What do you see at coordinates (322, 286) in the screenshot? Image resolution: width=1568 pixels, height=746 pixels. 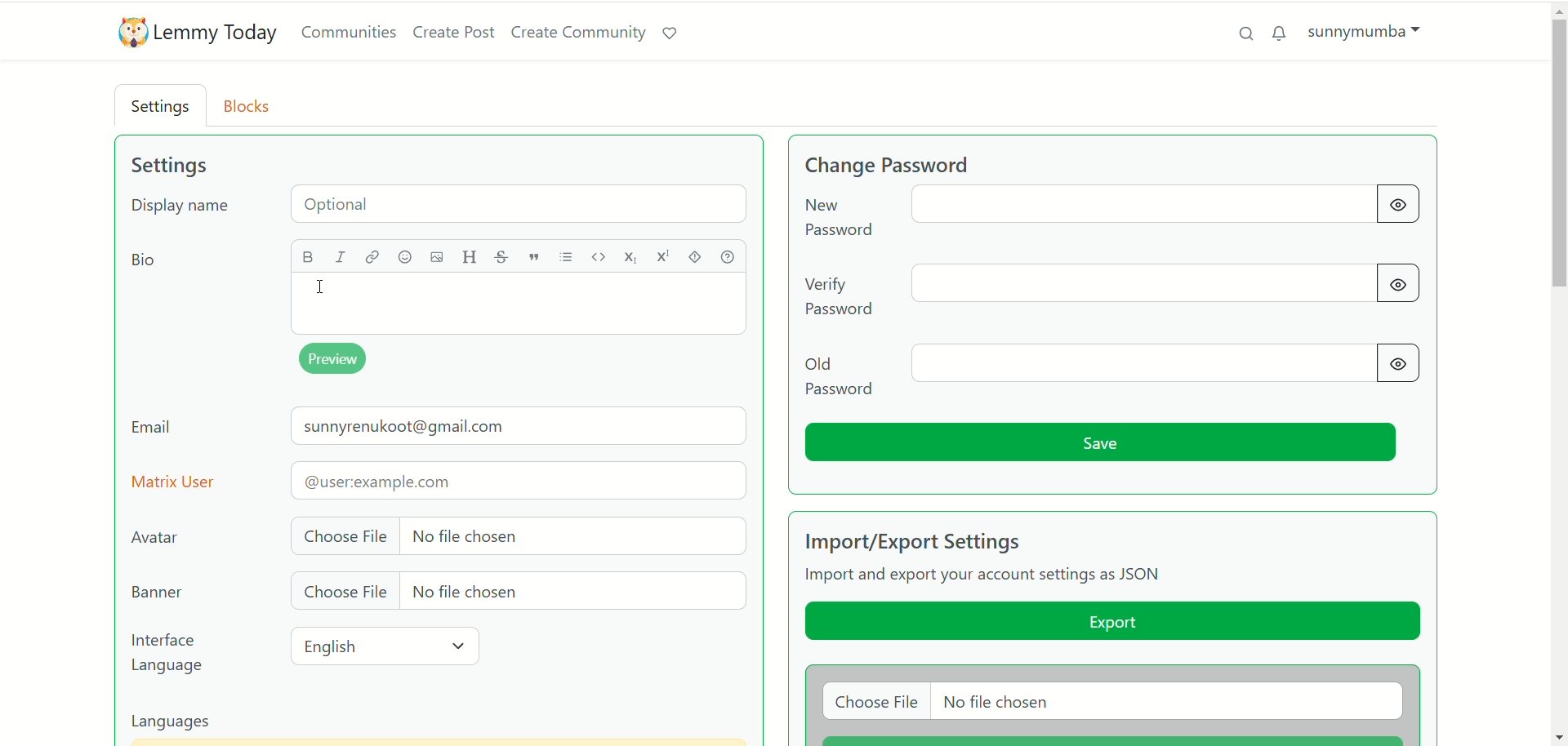 I see `cursor` at bounding box center [322, 286].